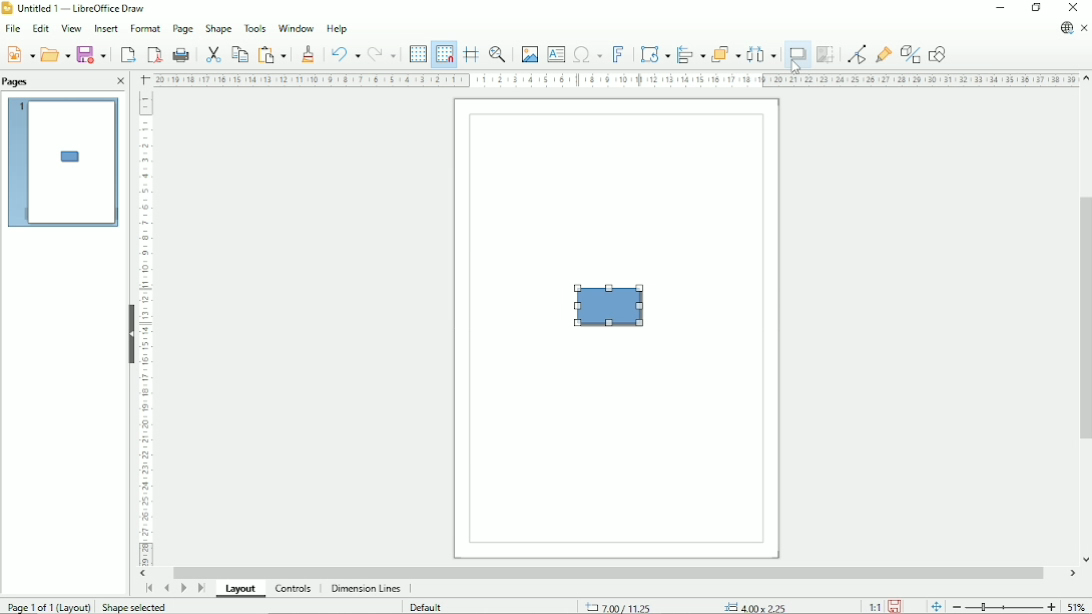 Image resolution: width=1092 pixels, height=614 pixels. I want to click on Paste, so click(272, 54).